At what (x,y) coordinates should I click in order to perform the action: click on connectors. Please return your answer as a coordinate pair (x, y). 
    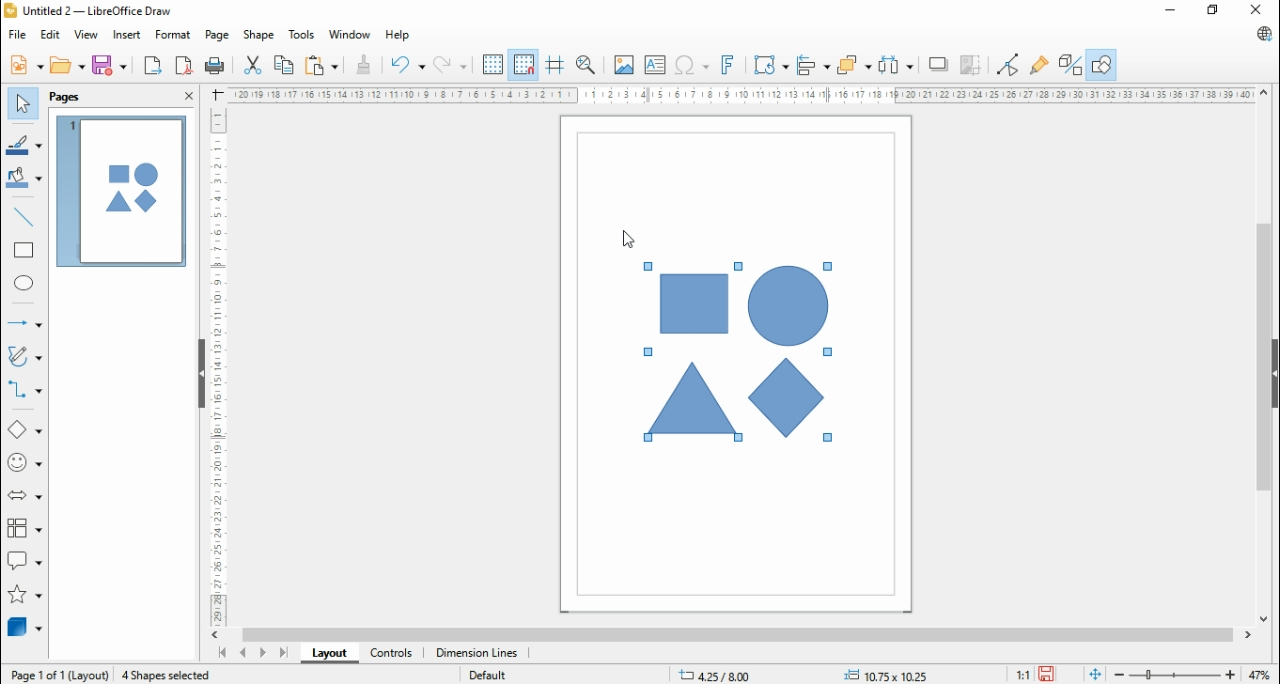
    Looking at the image, I should click on (24, 390).